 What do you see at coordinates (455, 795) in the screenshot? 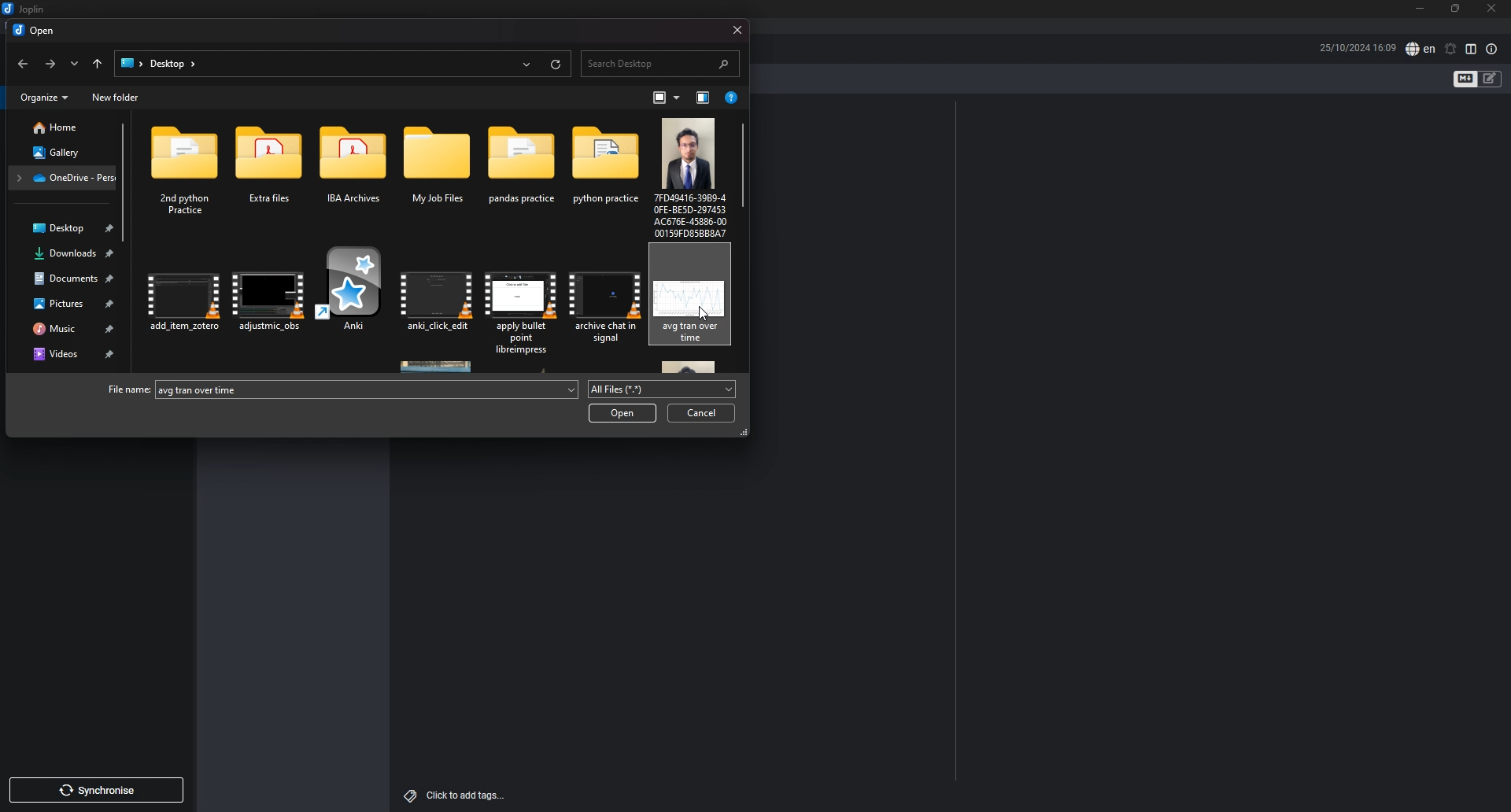
I see `click to add tags` at bounding box center [455, 795].